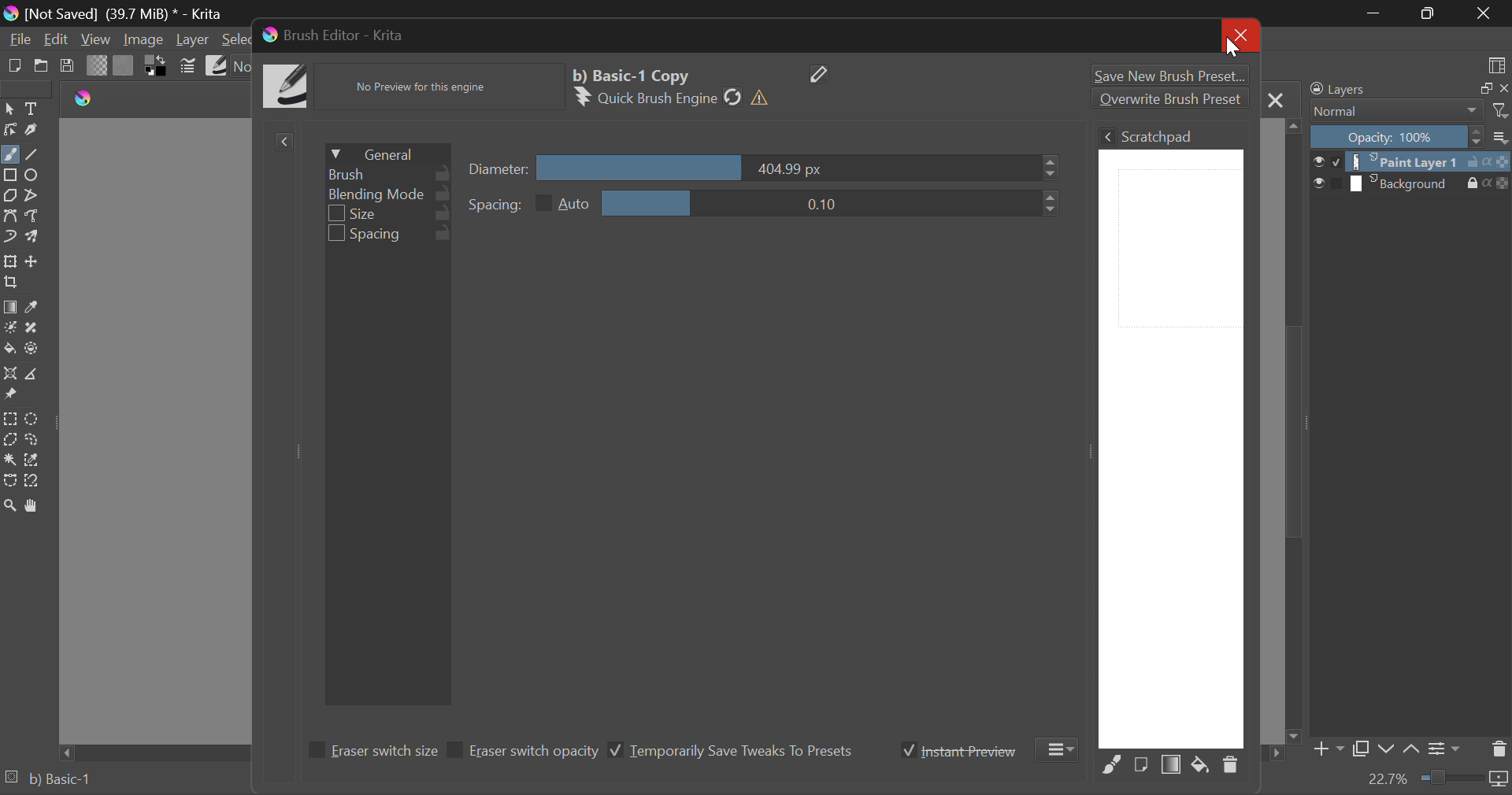  What do you see at coordinates (283, 142) in the screenshot?
I see `Show Presets` at bounding box center [283, 142].